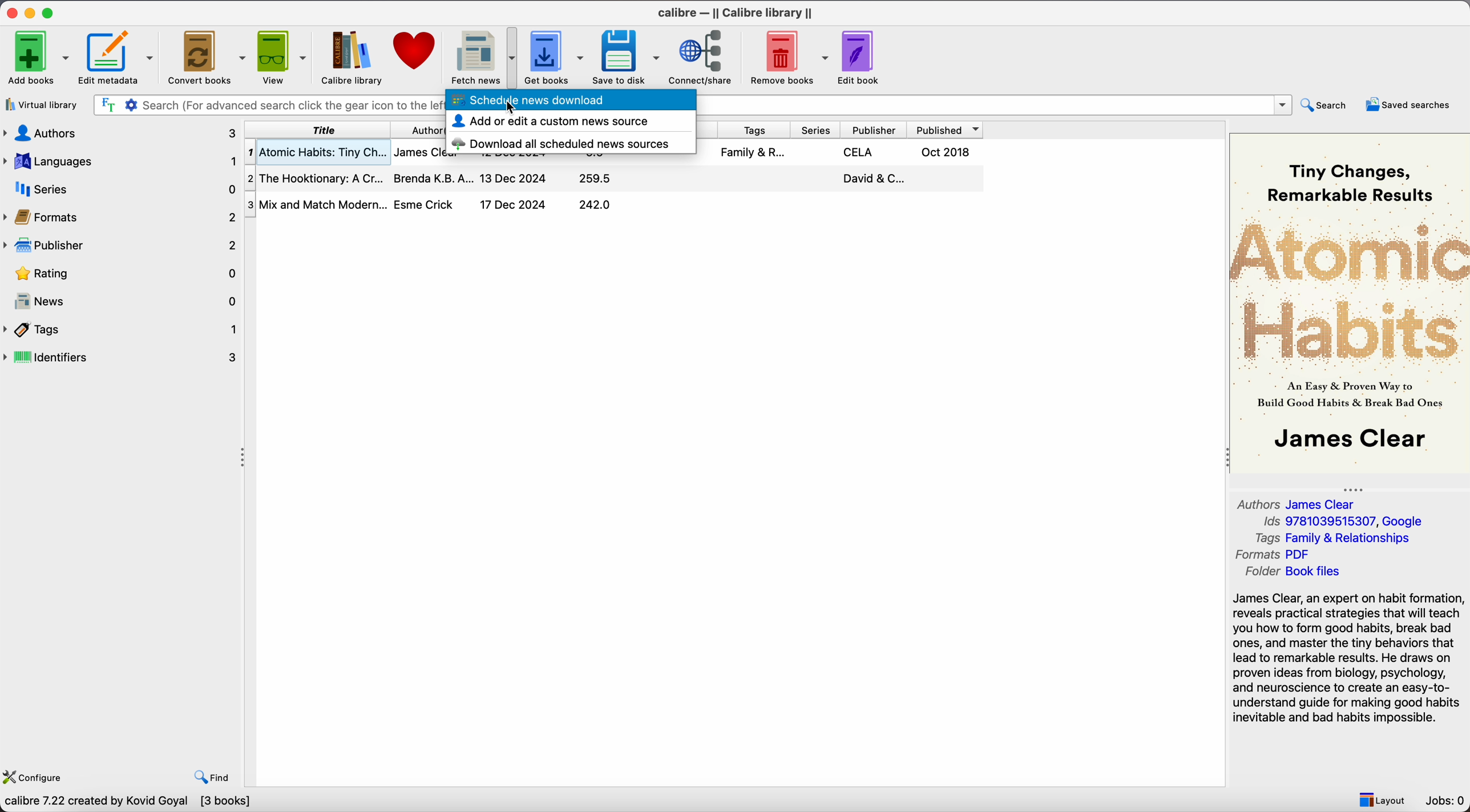 The width and height of the screenshot is (1470, 812). What do you see at coordinates (1293, 572) in the screenshot?
I see `Folder Book files` at bounding box center [1293, 572].